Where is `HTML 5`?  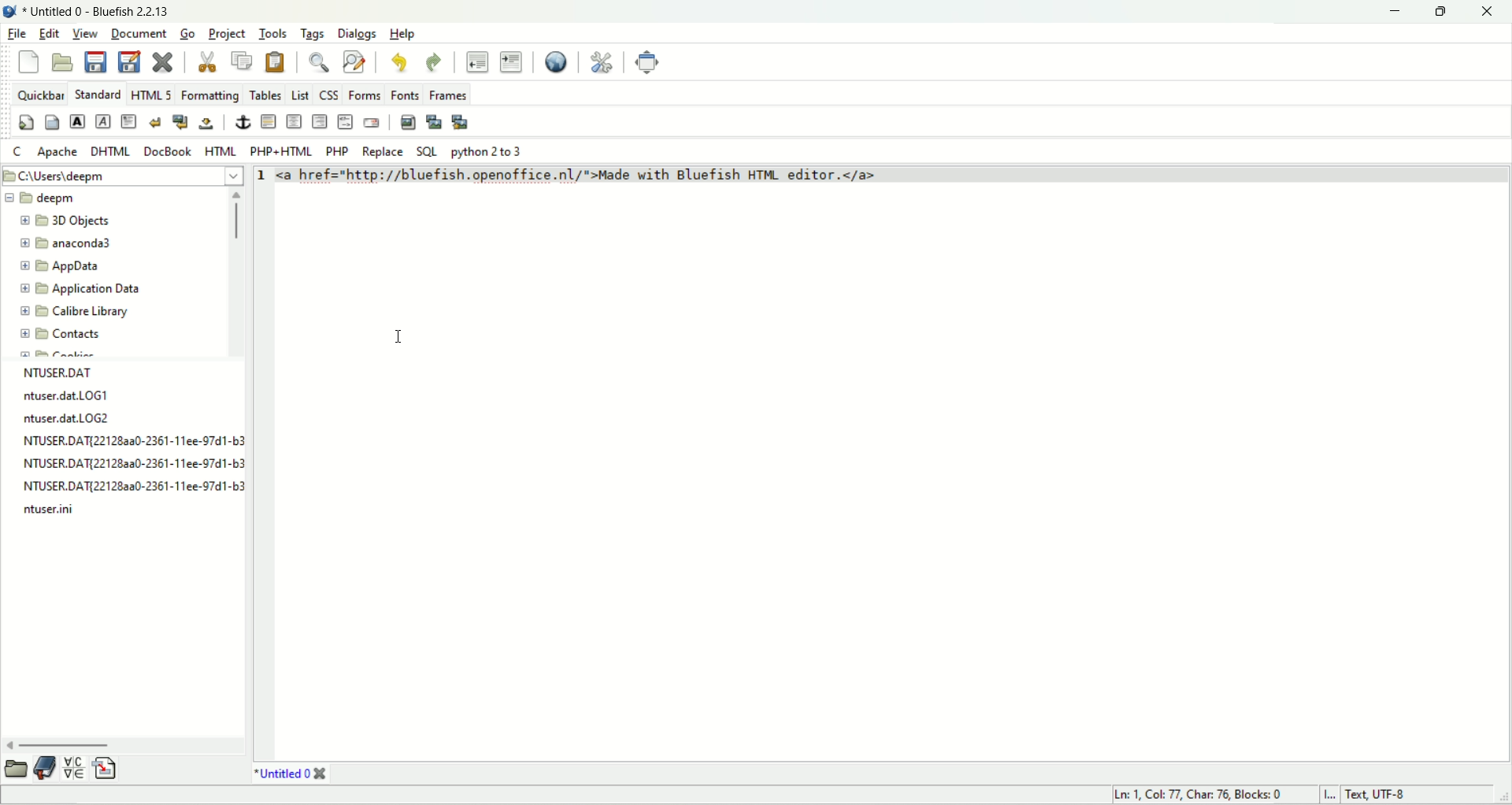
HTML 5 is located at coordinates (151, 92).